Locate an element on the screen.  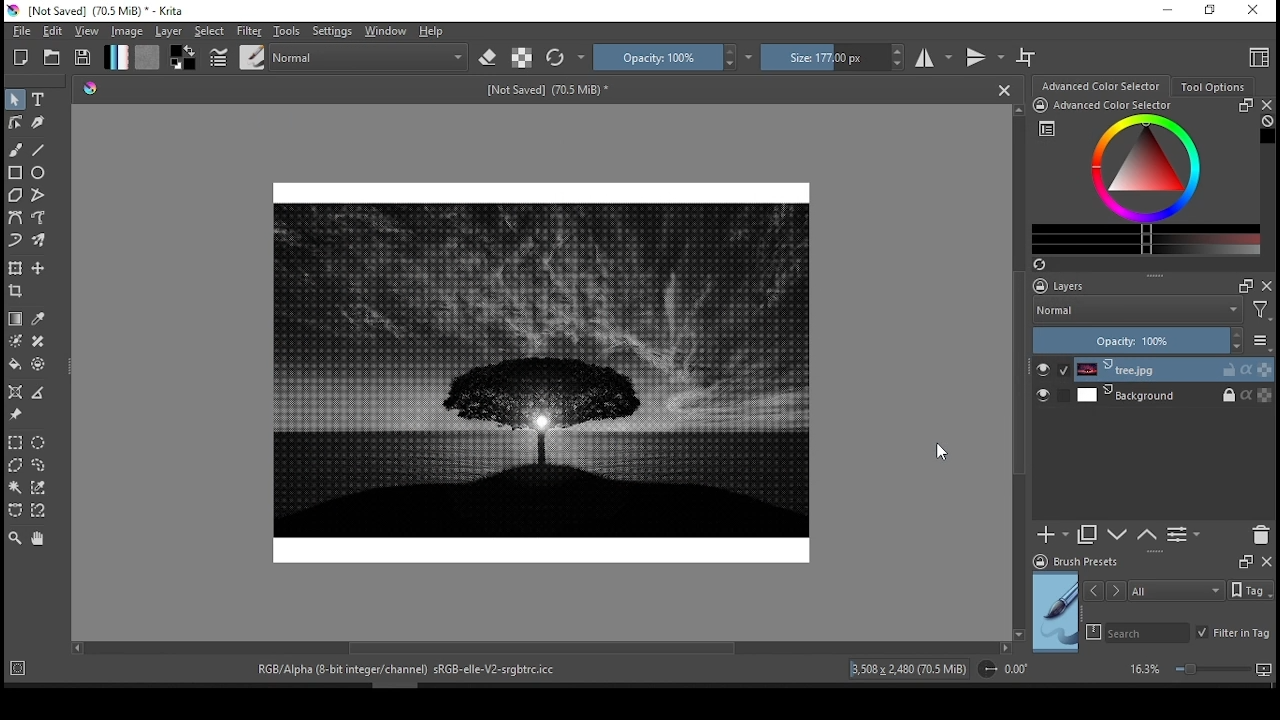
close window is located at coordinates (1251, 12).